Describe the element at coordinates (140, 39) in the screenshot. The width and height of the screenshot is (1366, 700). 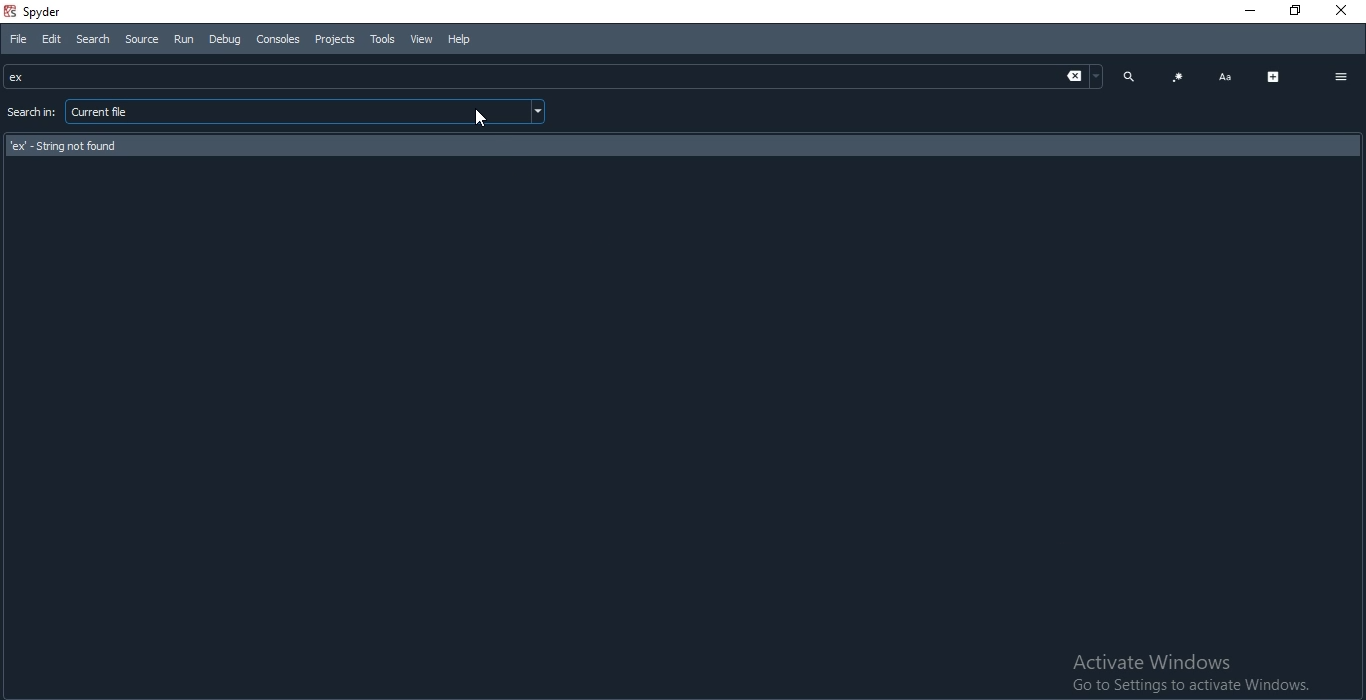
I see `Source` at that location.